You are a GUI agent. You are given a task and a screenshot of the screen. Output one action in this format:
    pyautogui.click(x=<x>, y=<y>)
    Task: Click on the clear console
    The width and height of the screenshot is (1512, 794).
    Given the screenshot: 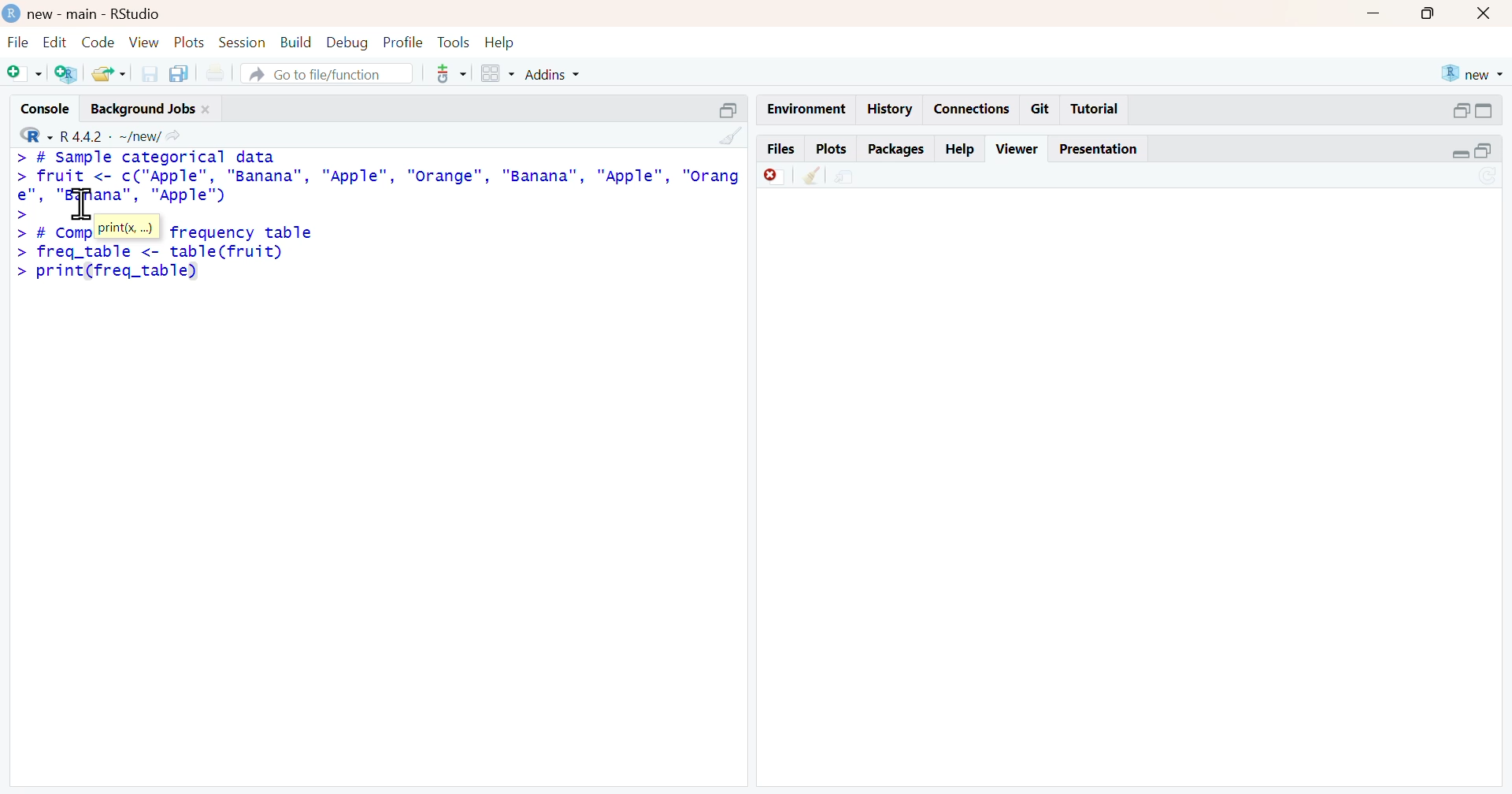 What is the action you would take?
    pyautogui.click(x=730, y=137)
    